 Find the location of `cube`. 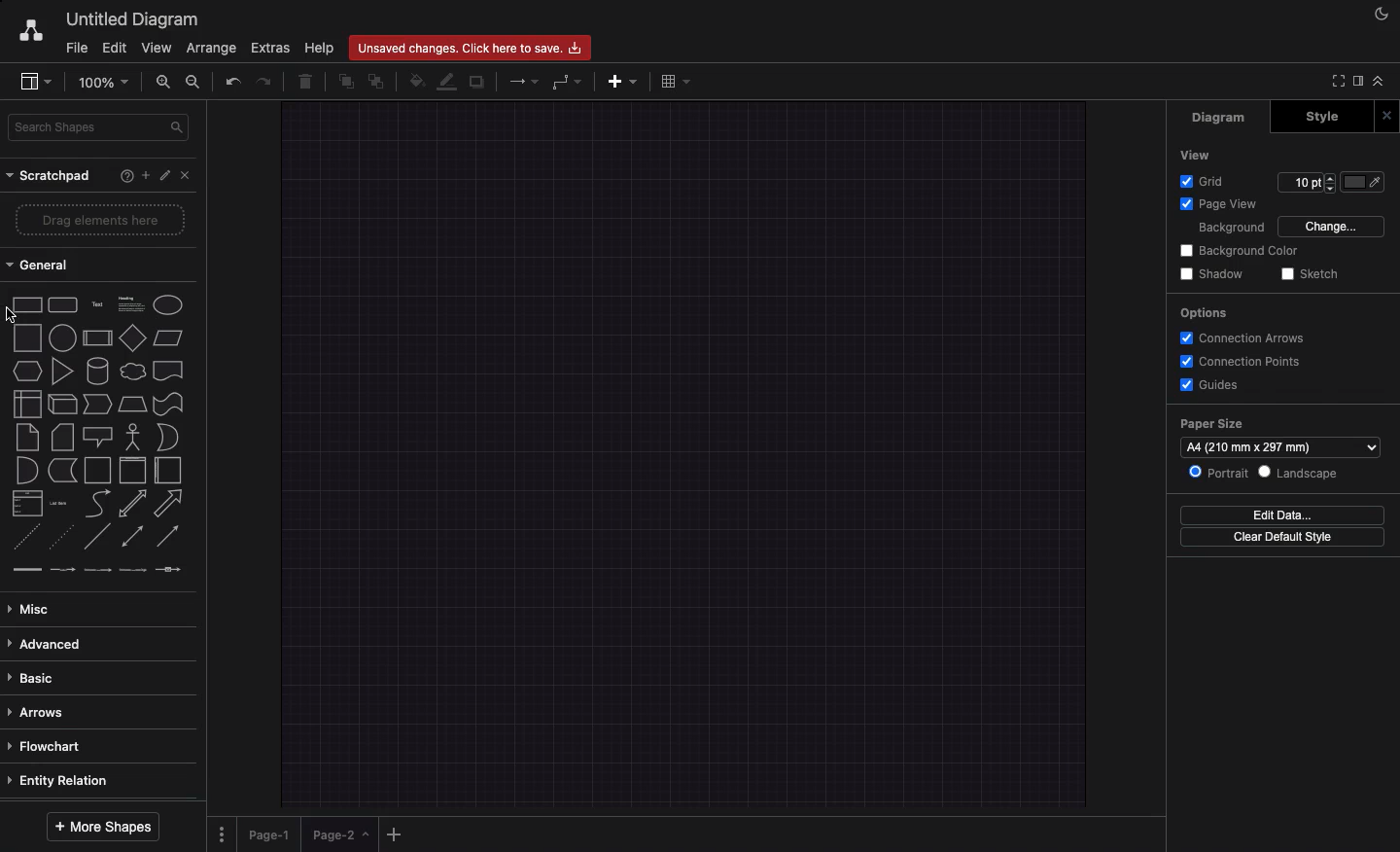

cube is located at coordinates (60, 404).